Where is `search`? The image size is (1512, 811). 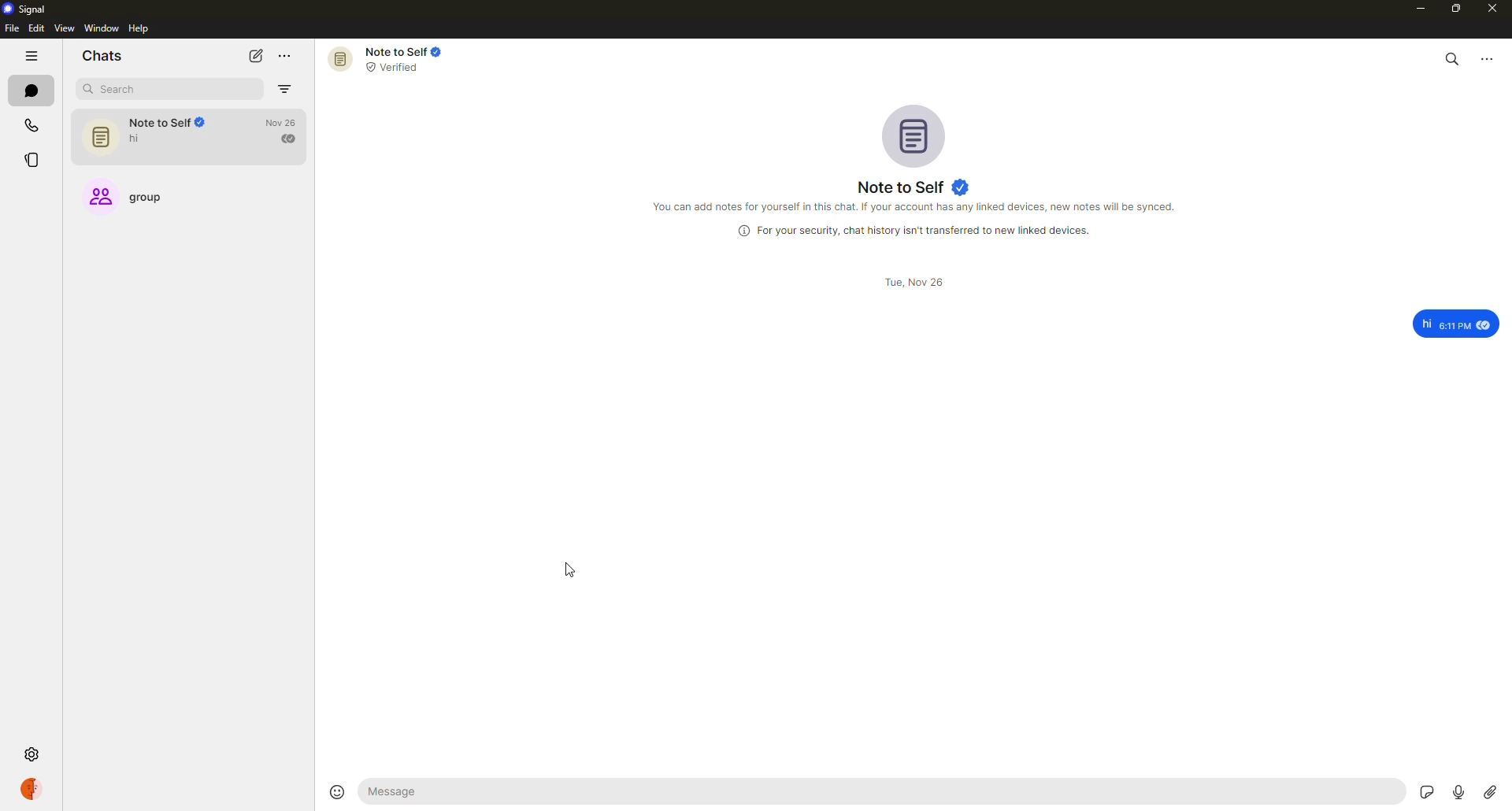
search is located at coordinates (1453, 58).